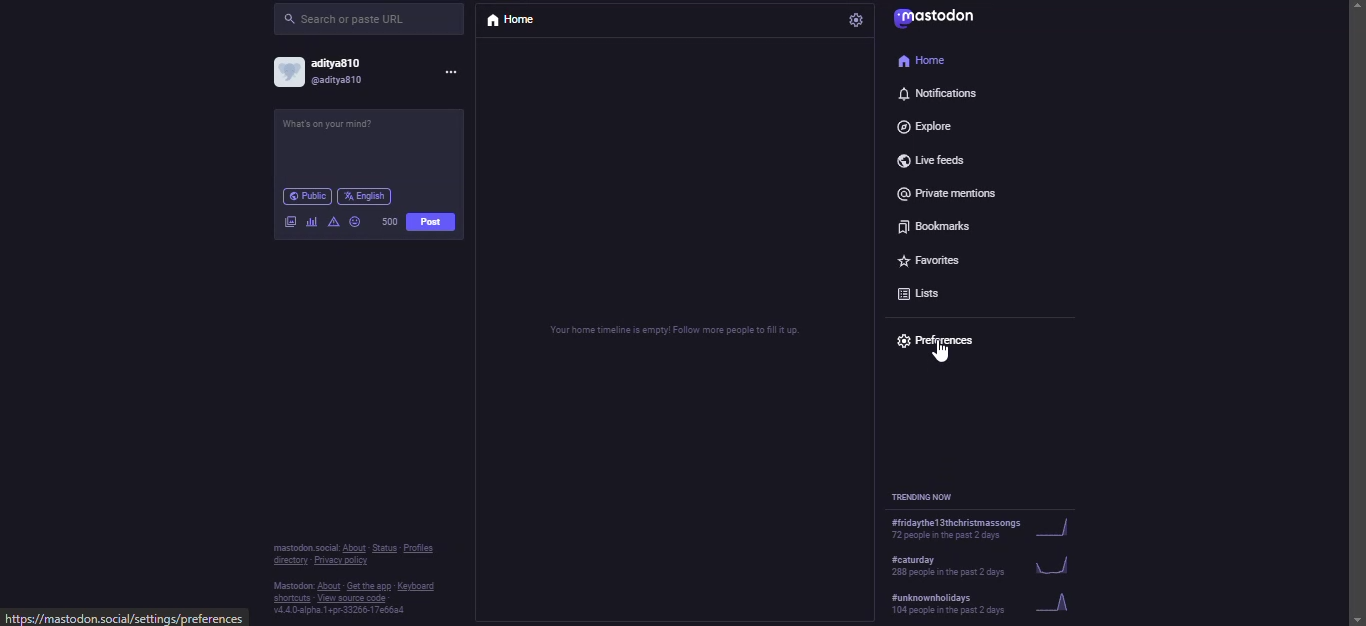 Image resolution: width=1366 pixels, height=626 pixels. What do you see at coordinates (306, 196) in the screenshot?
I see `public` at bounding box center [306, 196].